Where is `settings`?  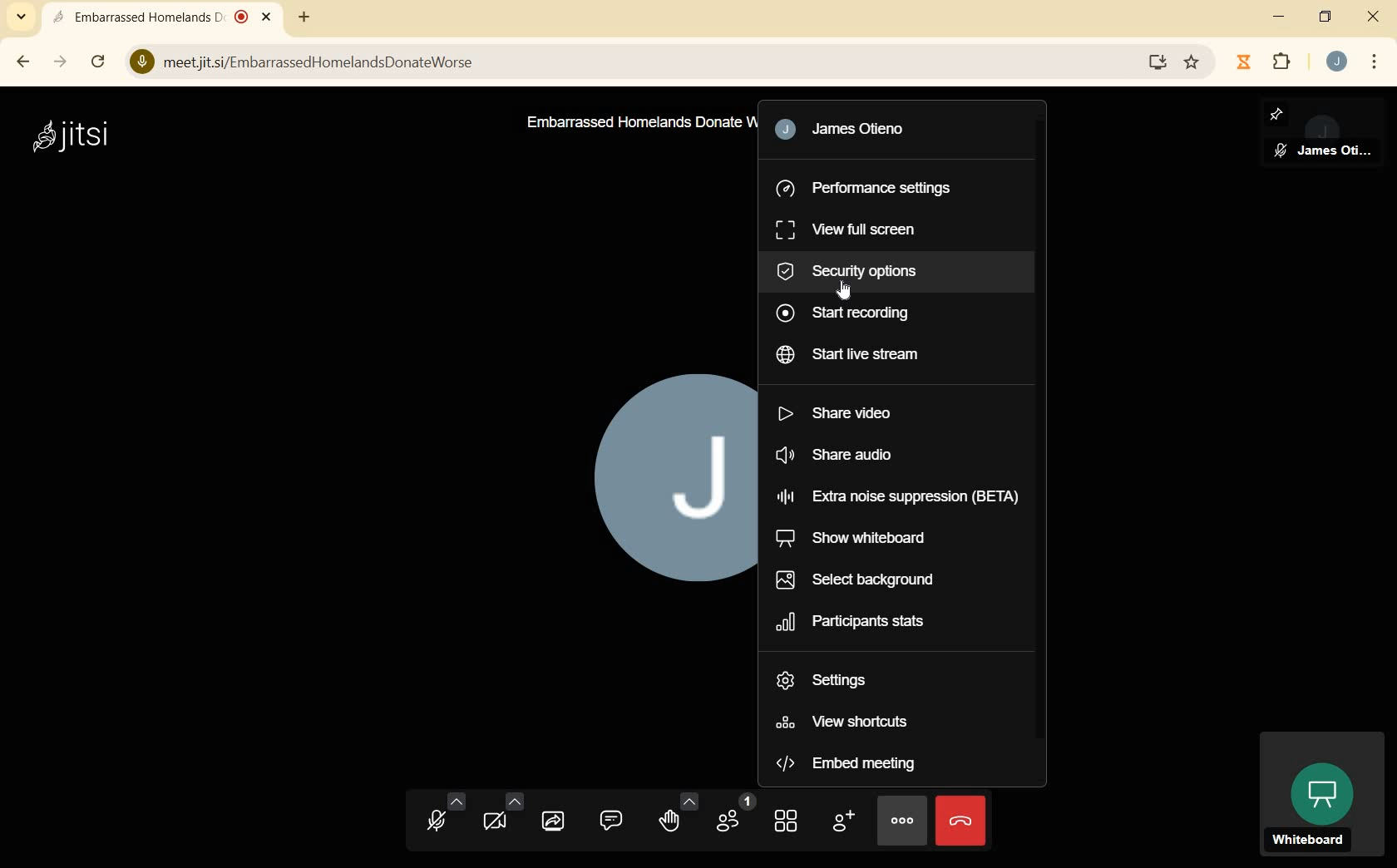
settings is located at coordinates (839, 682).